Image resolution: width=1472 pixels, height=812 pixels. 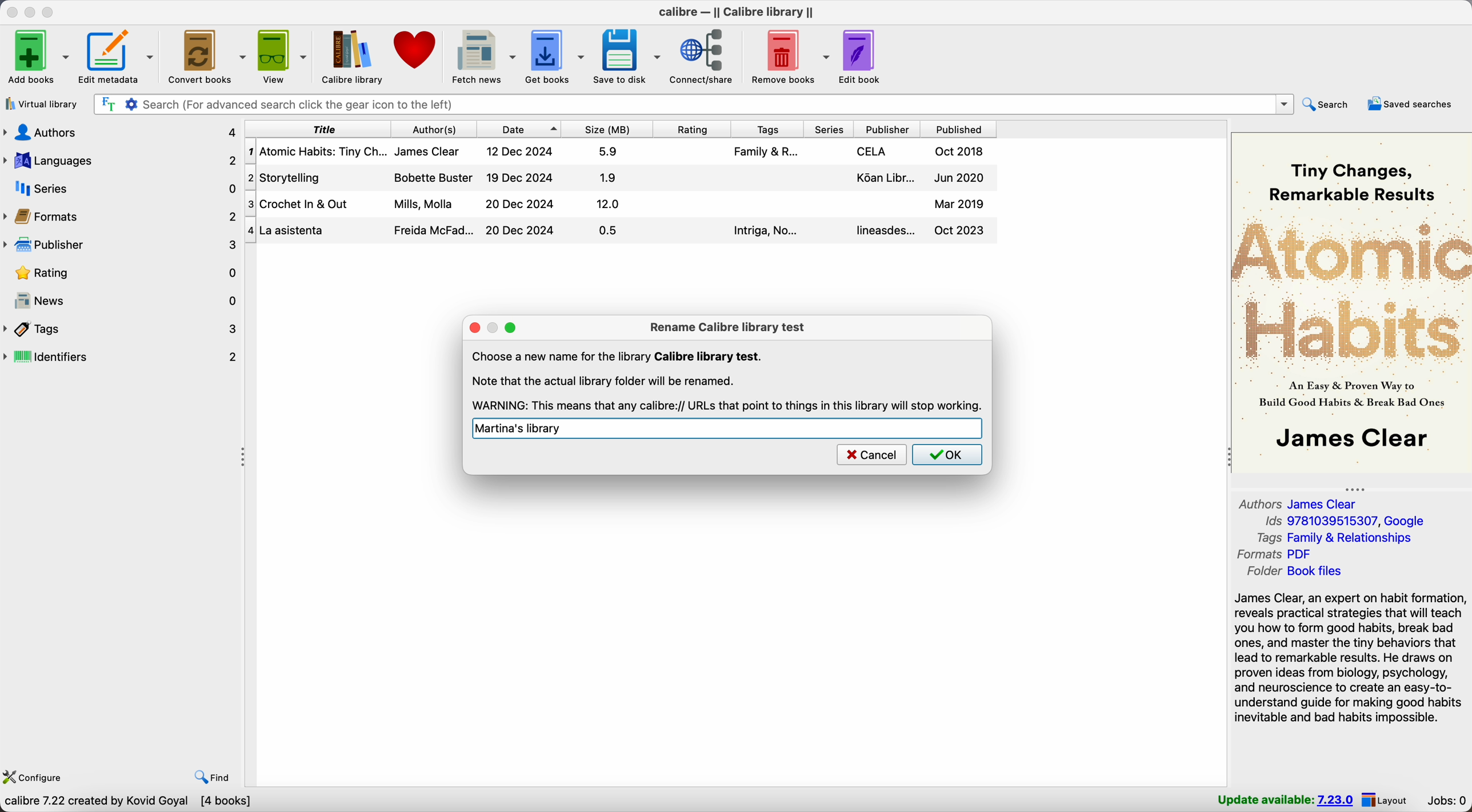 What do you see at coordinates (122, 358) in the screenshot?
I see `identifiers` at bounding box center [122, 358].